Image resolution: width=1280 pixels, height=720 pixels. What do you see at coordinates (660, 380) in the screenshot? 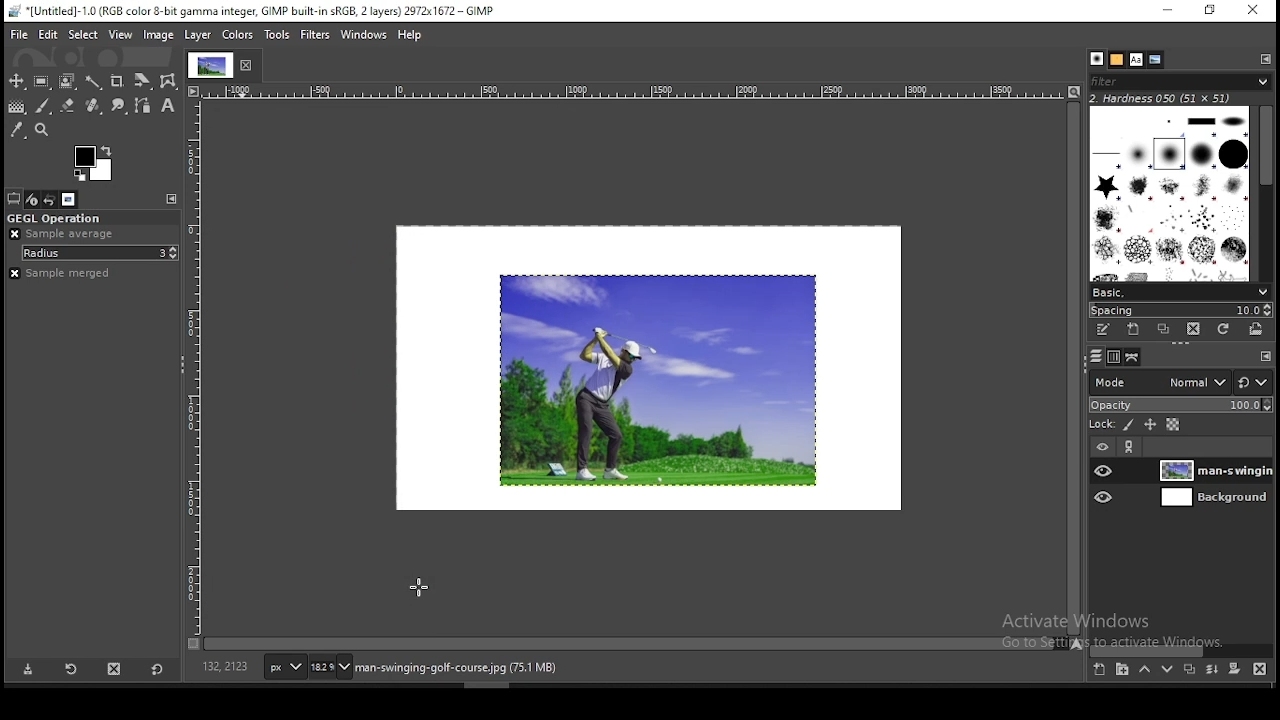
I see `image` at bounding box center [660, 380].